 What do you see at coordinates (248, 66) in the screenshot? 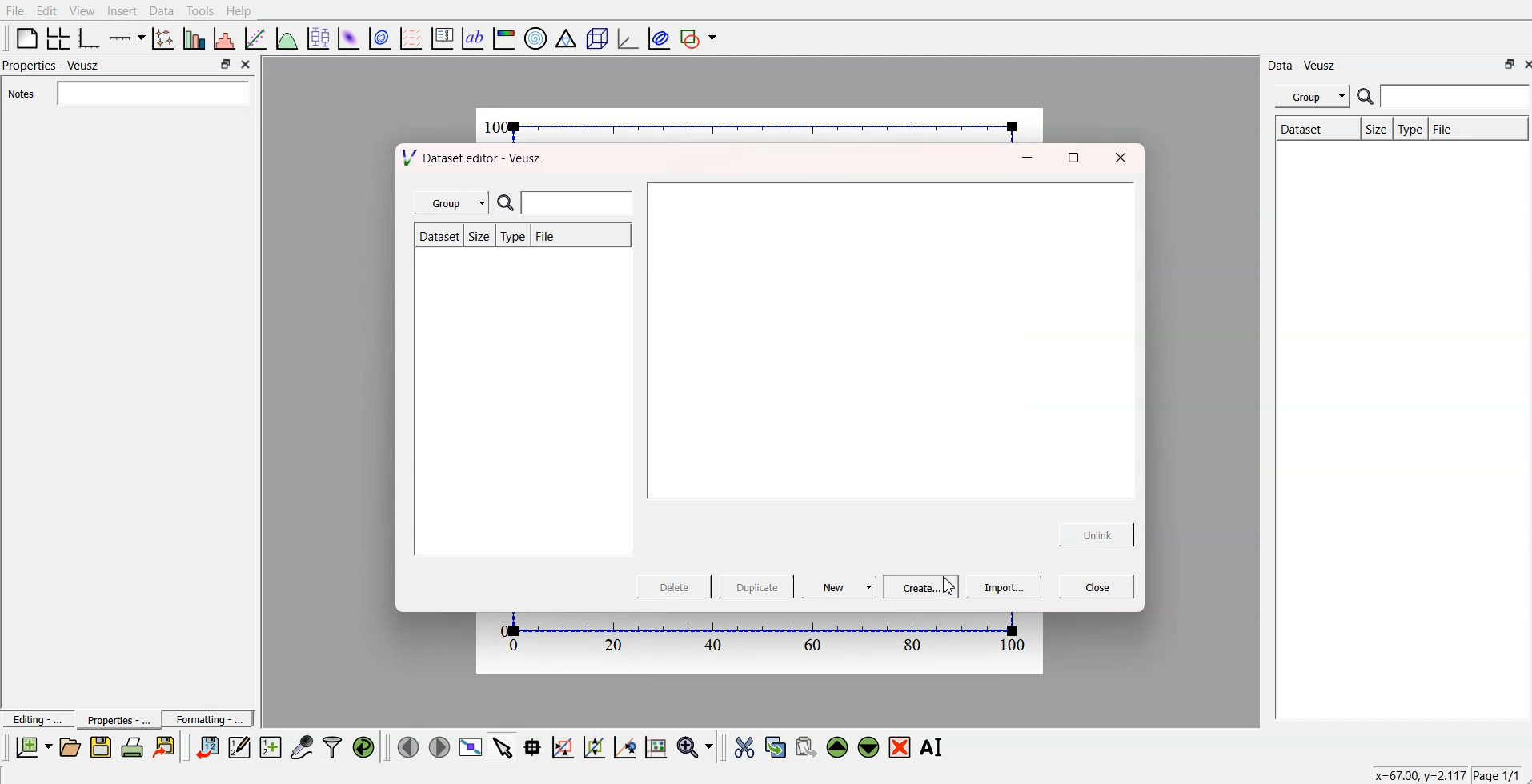
I see `Close` at bounding box center [248, 66].